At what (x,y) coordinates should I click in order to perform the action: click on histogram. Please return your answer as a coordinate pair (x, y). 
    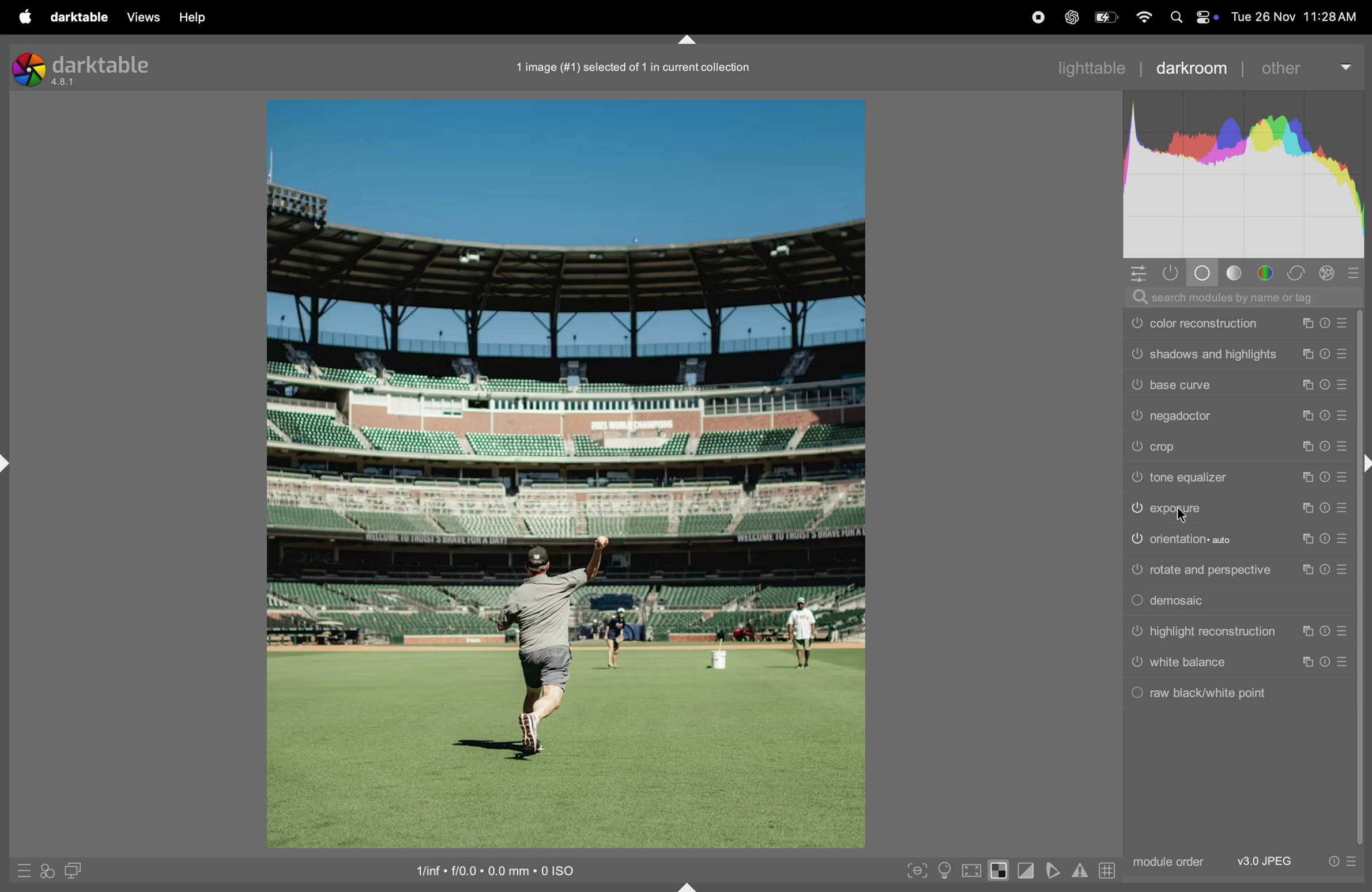
    Looking at the image, I should click on (1245, 174).